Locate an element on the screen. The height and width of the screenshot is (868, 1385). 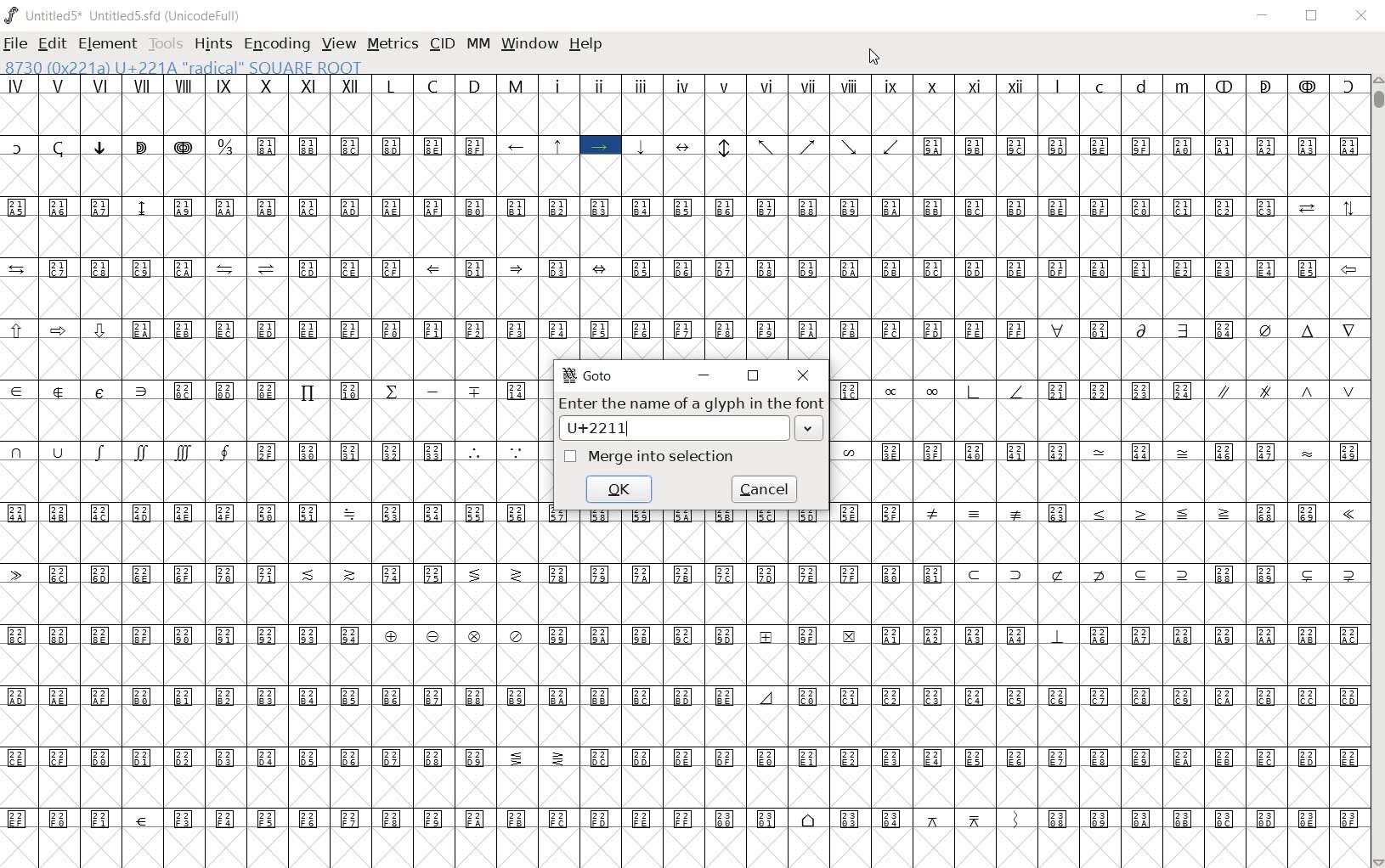
CID is located at coordinates (440, 44).